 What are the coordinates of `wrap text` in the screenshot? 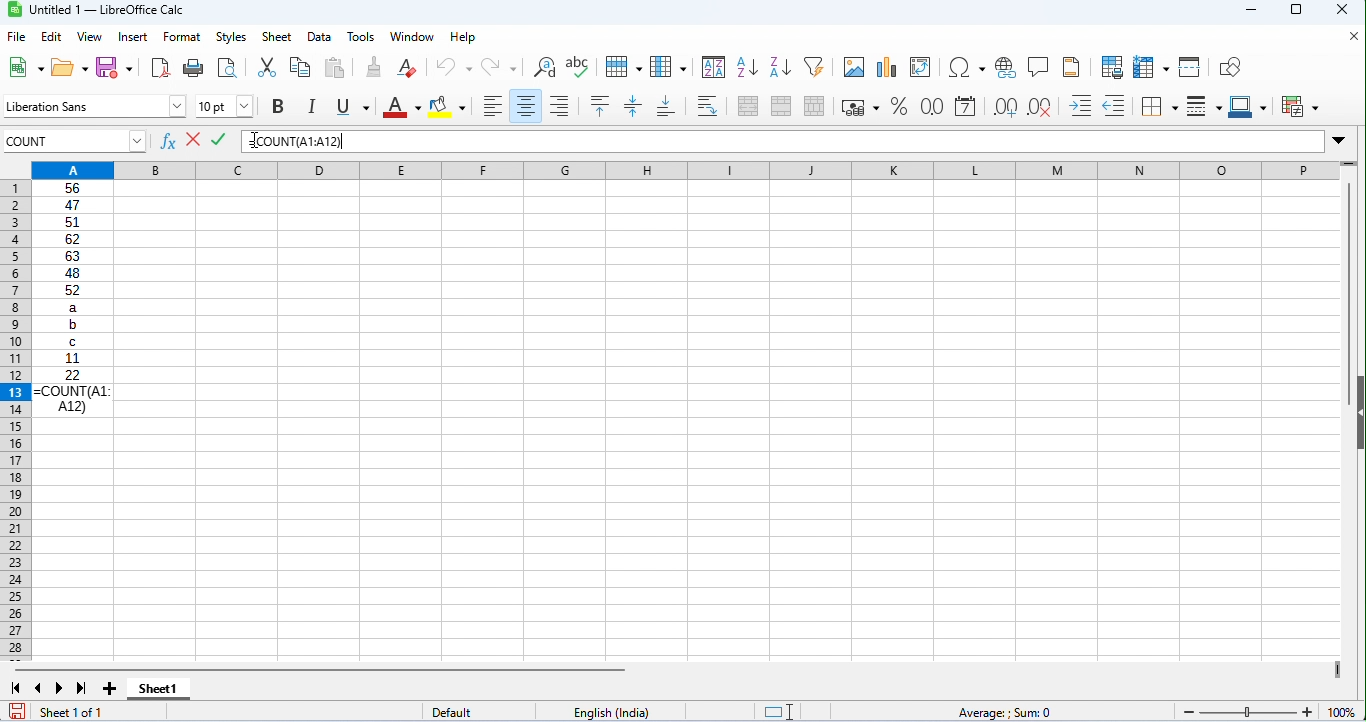 It's located at (707, 106).